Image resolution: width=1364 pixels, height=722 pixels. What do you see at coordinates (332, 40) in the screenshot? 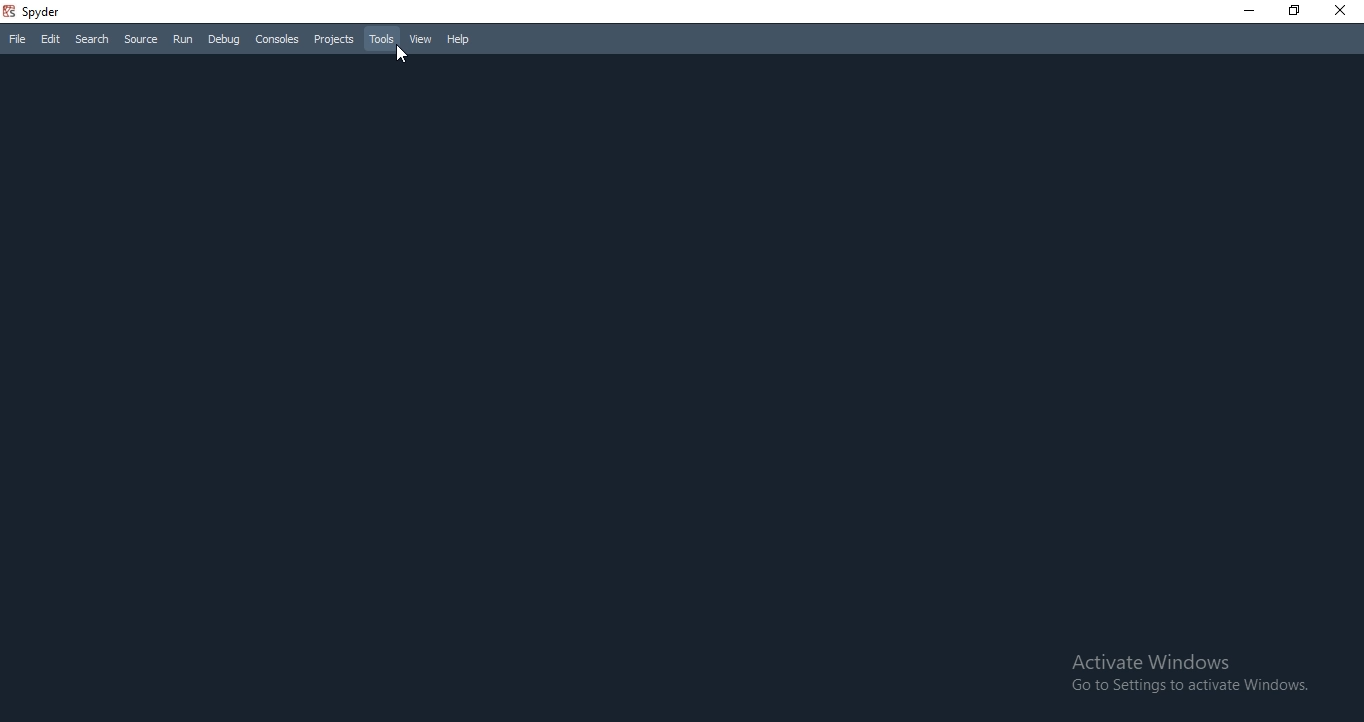
I see `Projects` at bounding box center [332, 40].